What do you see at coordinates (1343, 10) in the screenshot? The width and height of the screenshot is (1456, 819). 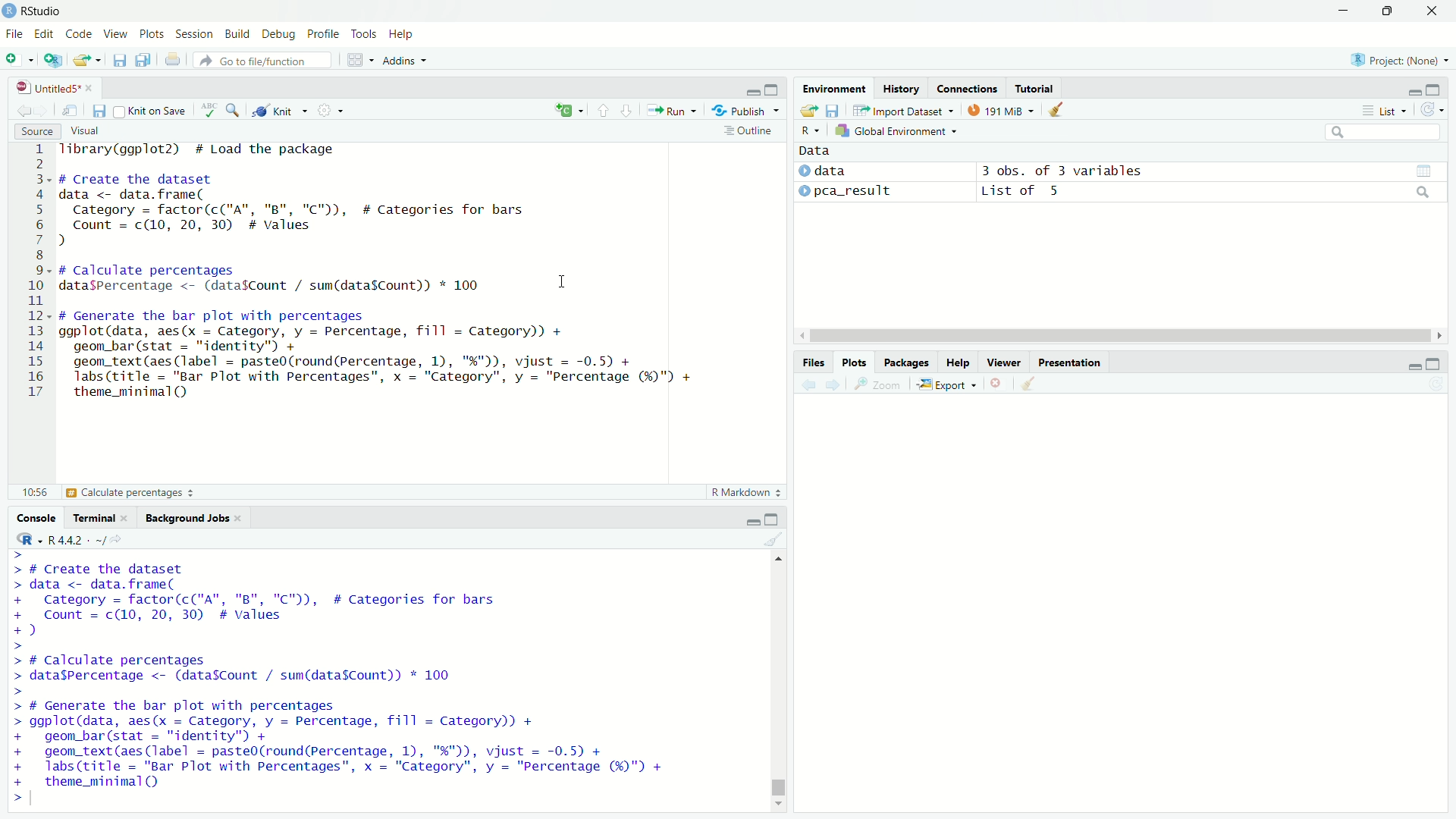 I see `minimize` at bounding box center [1343, 10].